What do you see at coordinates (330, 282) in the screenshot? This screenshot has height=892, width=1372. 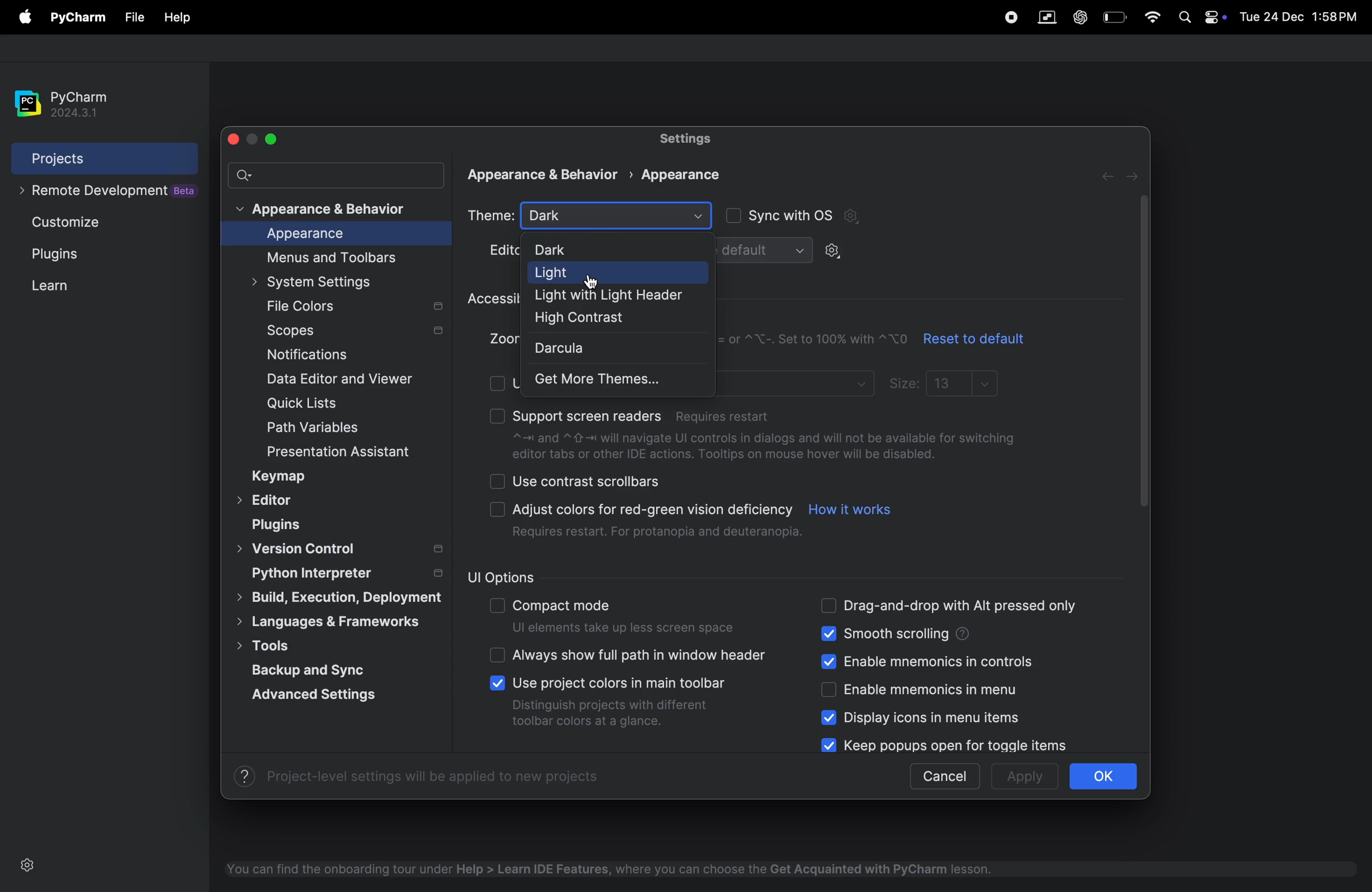 I see `system settings` at bounding box center [330, 282].